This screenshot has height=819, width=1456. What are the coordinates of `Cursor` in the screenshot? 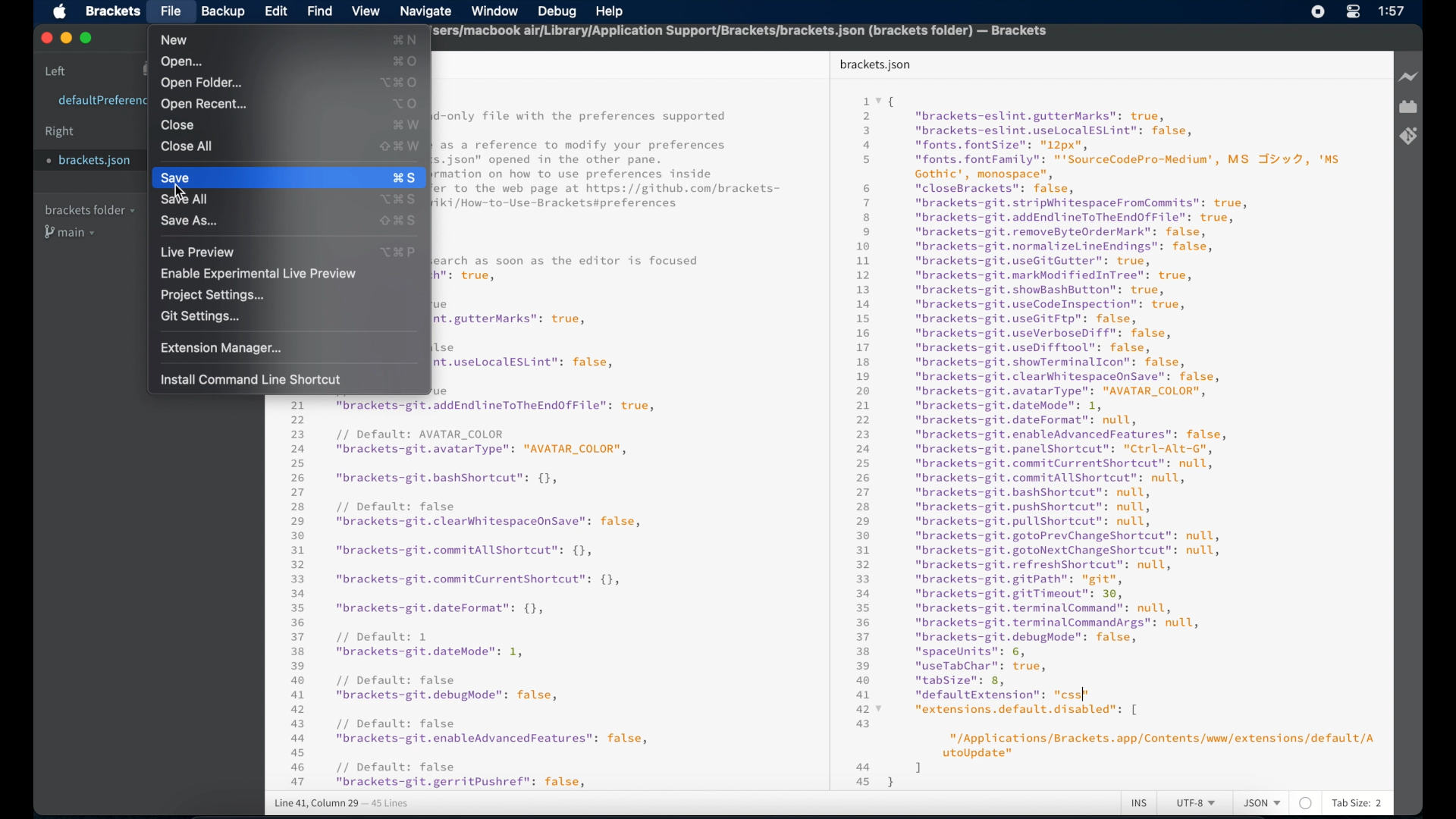 It's located at (180, 191).